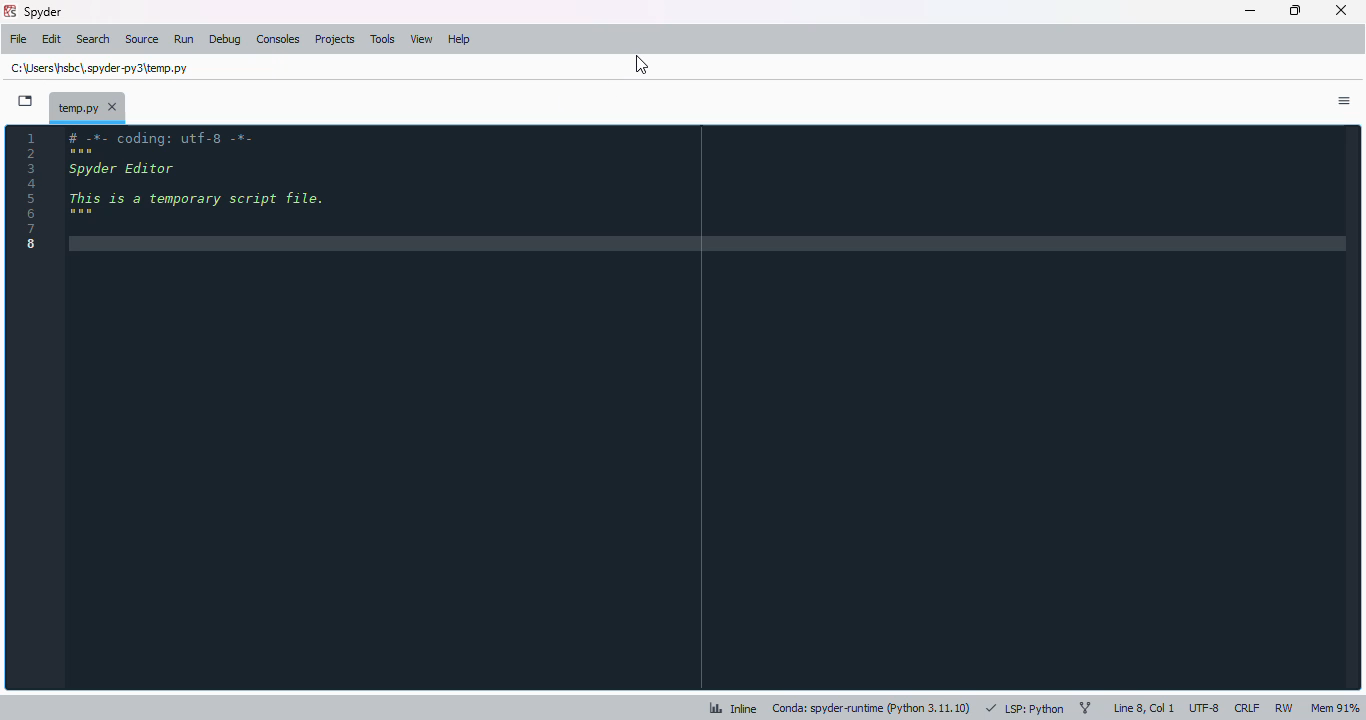 The width and height of the screenshot is (1366, 720). Describe the element at coordinates (334, 39) in the screenshot. I see `projects` at that location.